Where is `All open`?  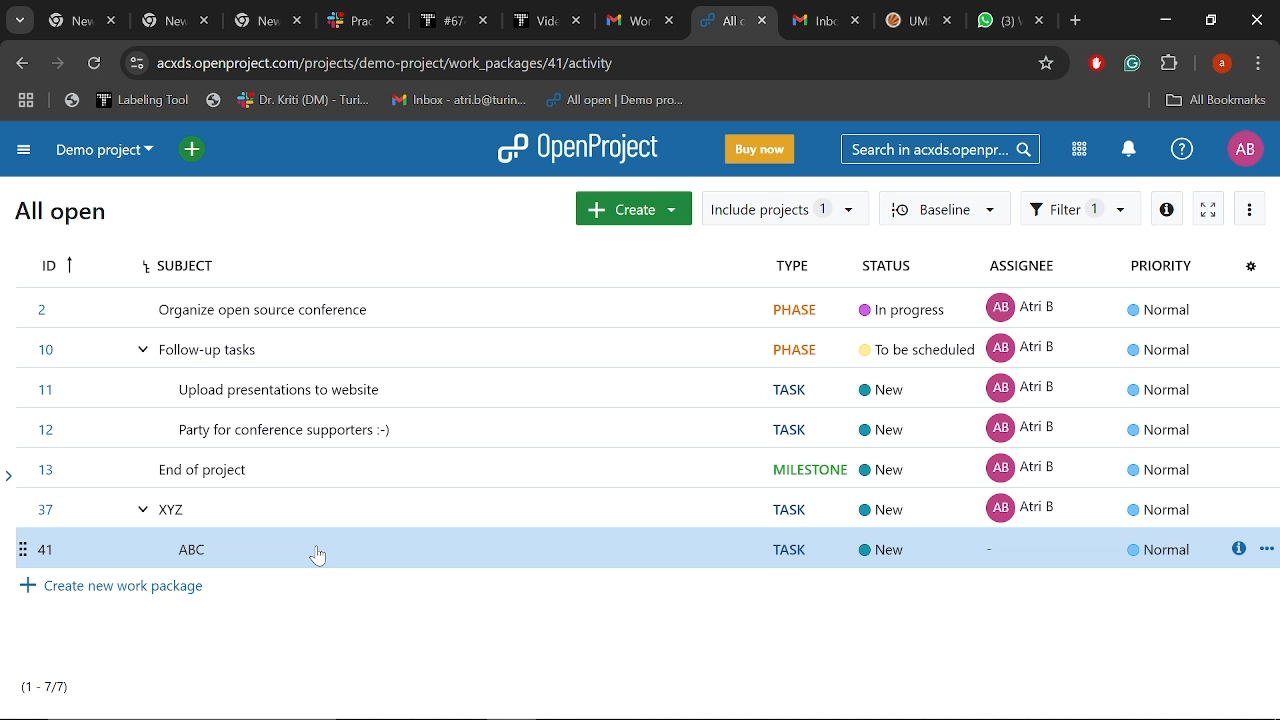
All open is located at coordinates (67, 214).